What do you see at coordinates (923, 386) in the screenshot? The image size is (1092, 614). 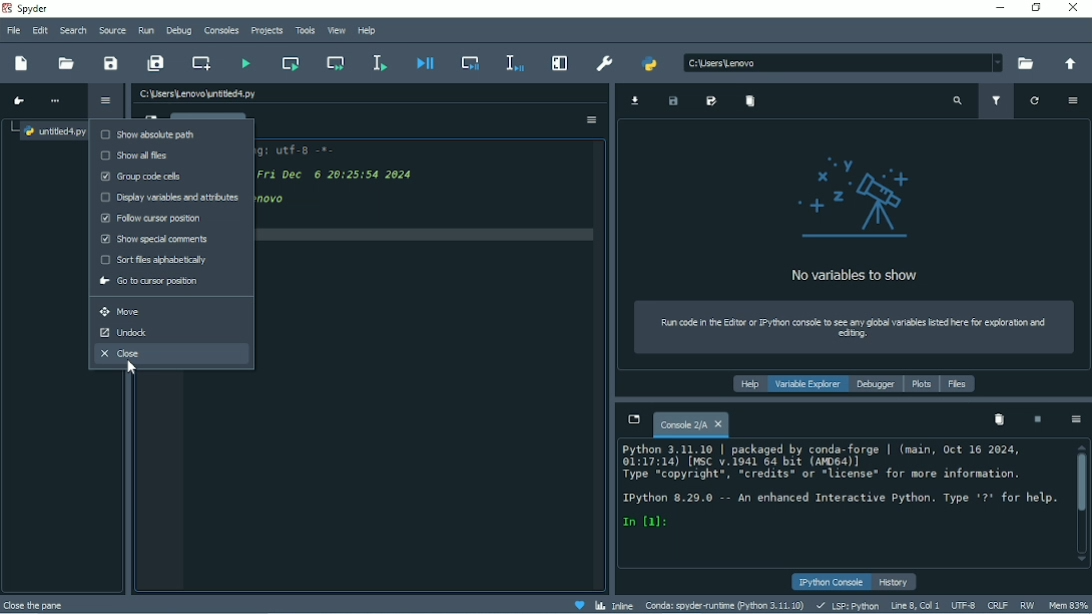 I see `Plots` at bounding box center [923, 386].